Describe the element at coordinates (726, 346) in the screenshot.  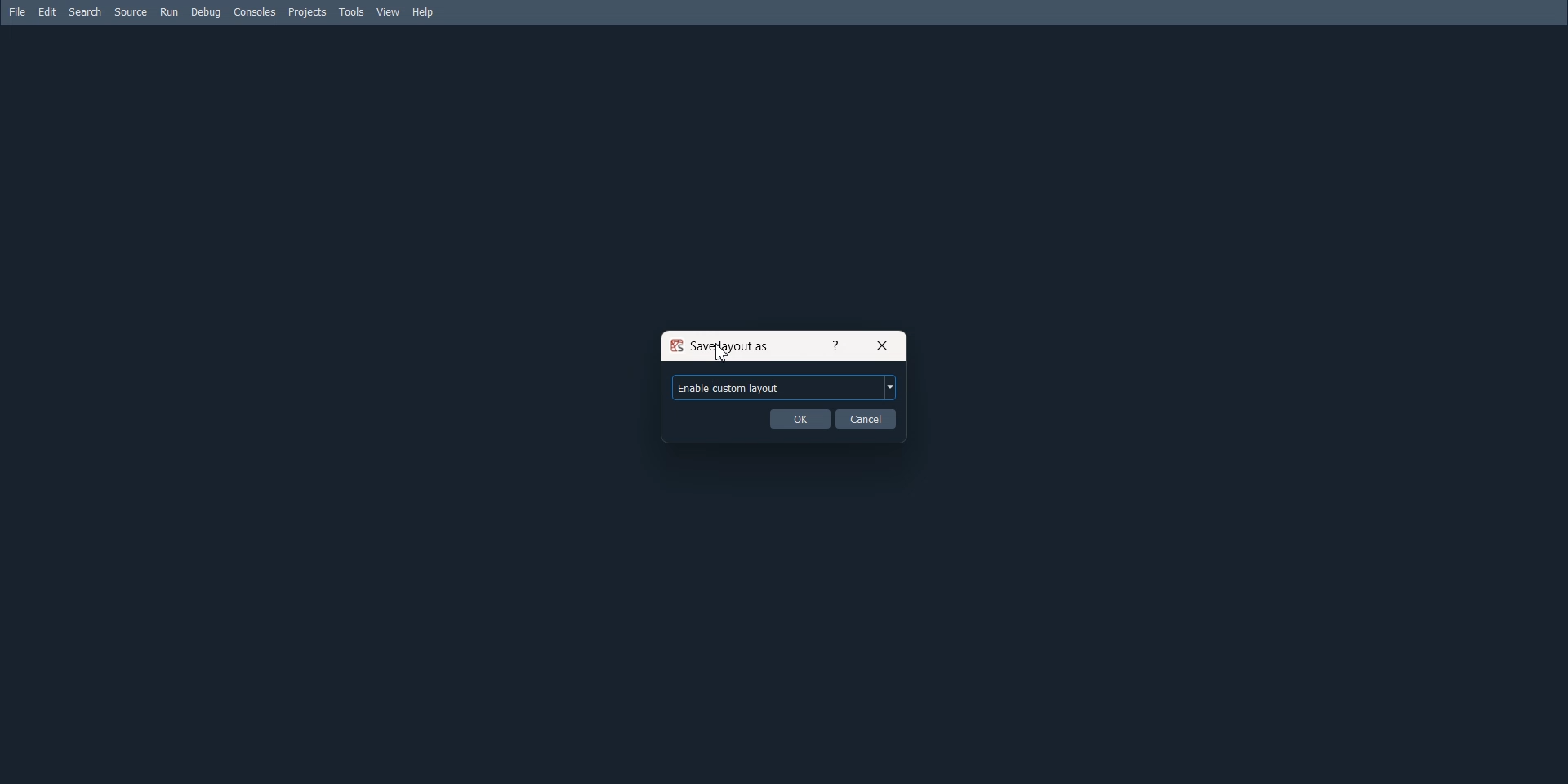
I see `Text` at that location.